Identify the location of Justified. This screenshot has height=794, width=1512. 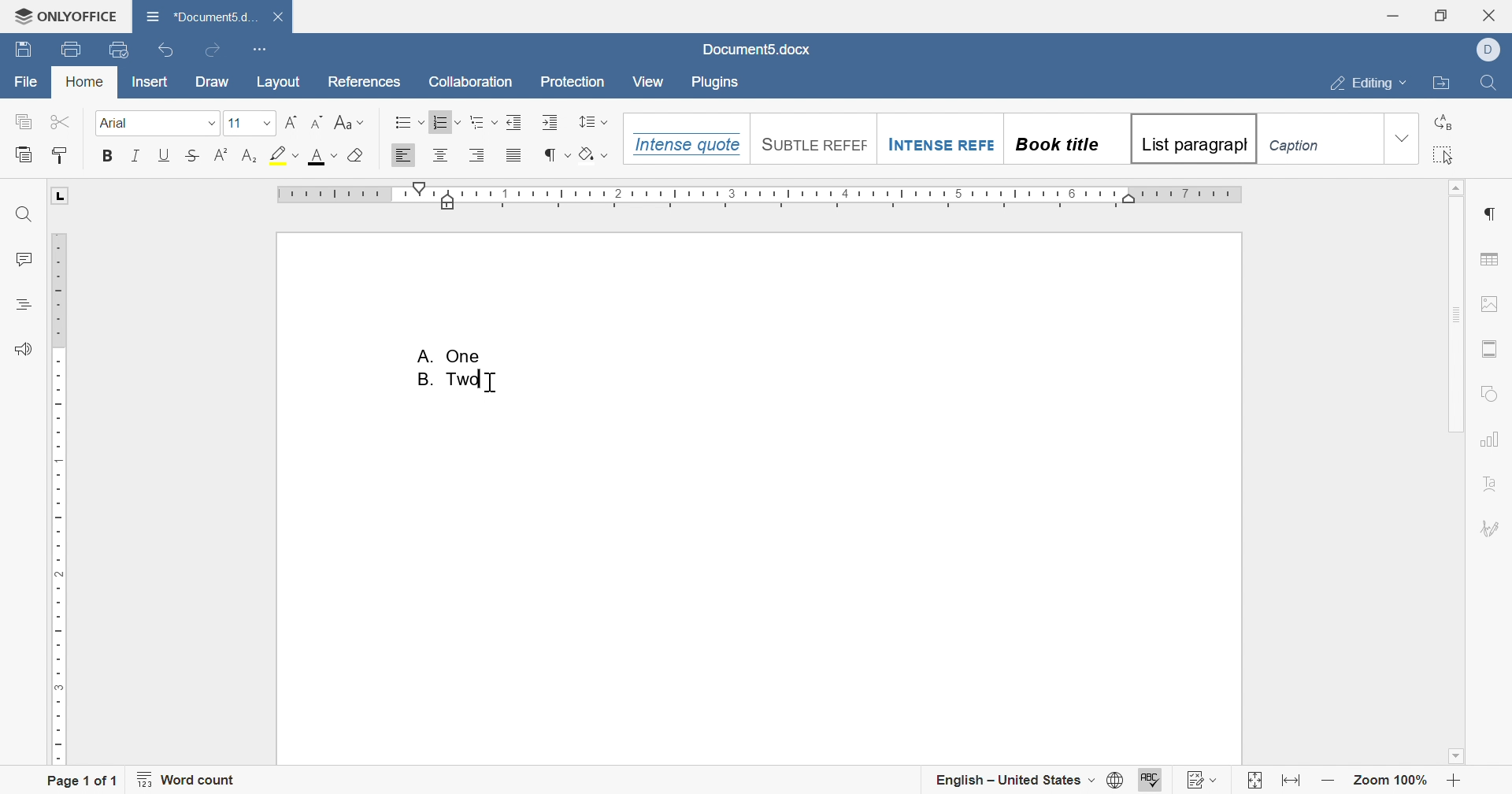
(515, 155).